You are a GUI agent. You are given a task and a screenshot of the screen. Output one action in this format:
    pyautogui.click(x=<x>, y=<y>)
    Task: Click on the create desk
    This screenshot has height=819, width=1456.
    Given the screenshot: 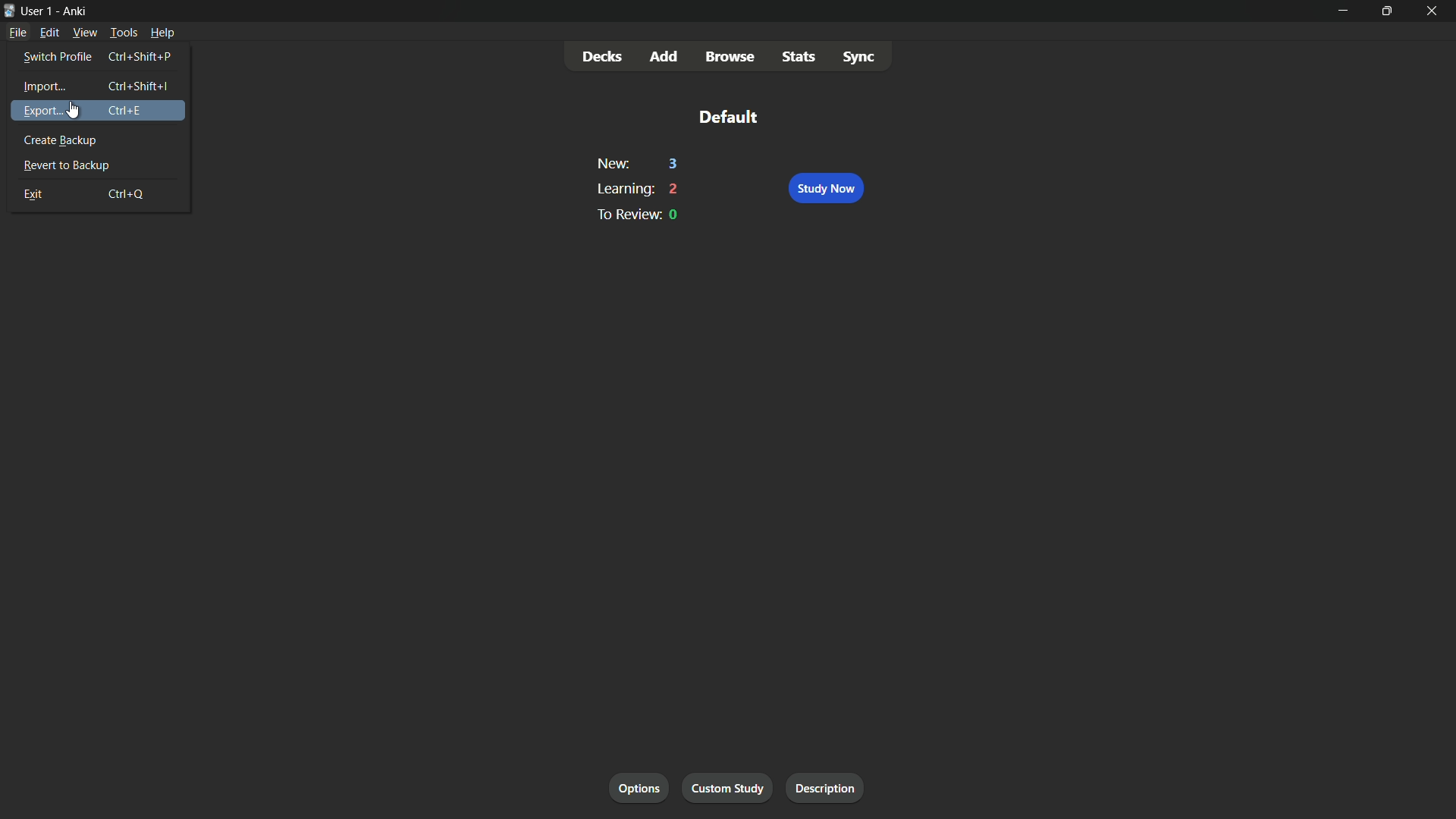 What is the action you would take?
    pyautogui.click(x=733, y=788)
    